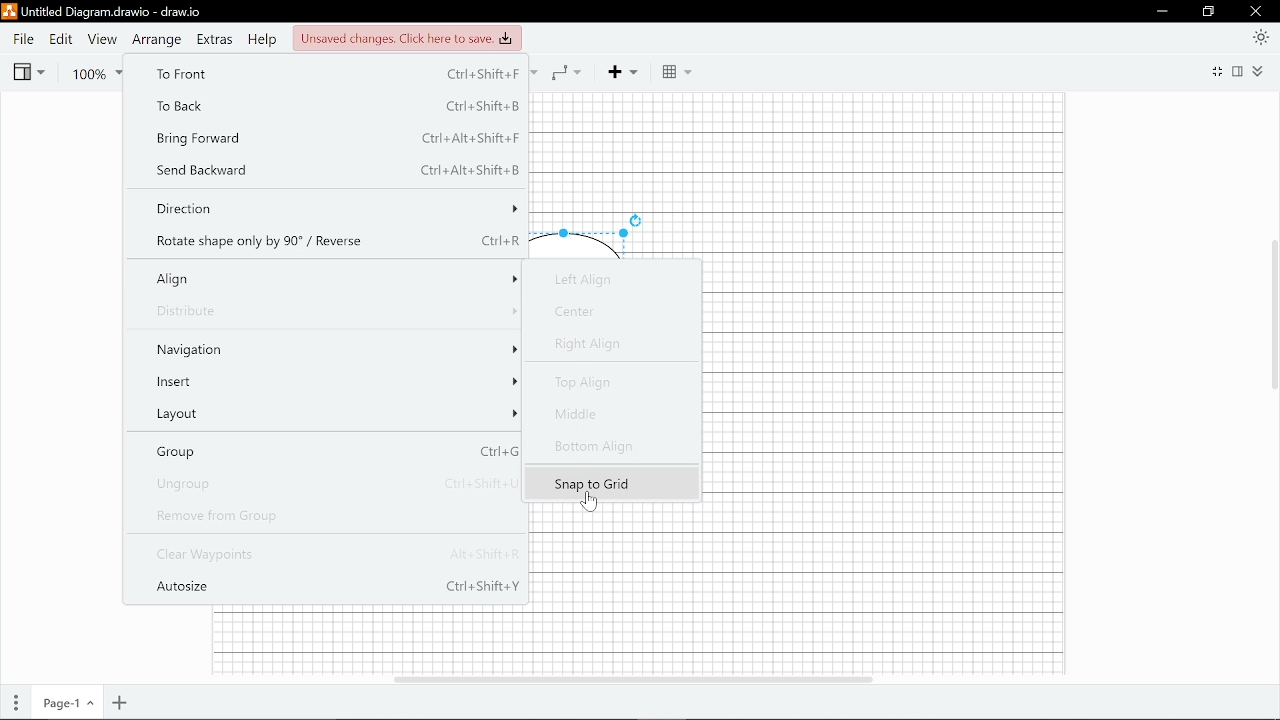 This screenshot has width=1280, height=720. What do you see at coordinates (609, 313) in the screenshot?
I see `Center` at bounding box center [609, 313].